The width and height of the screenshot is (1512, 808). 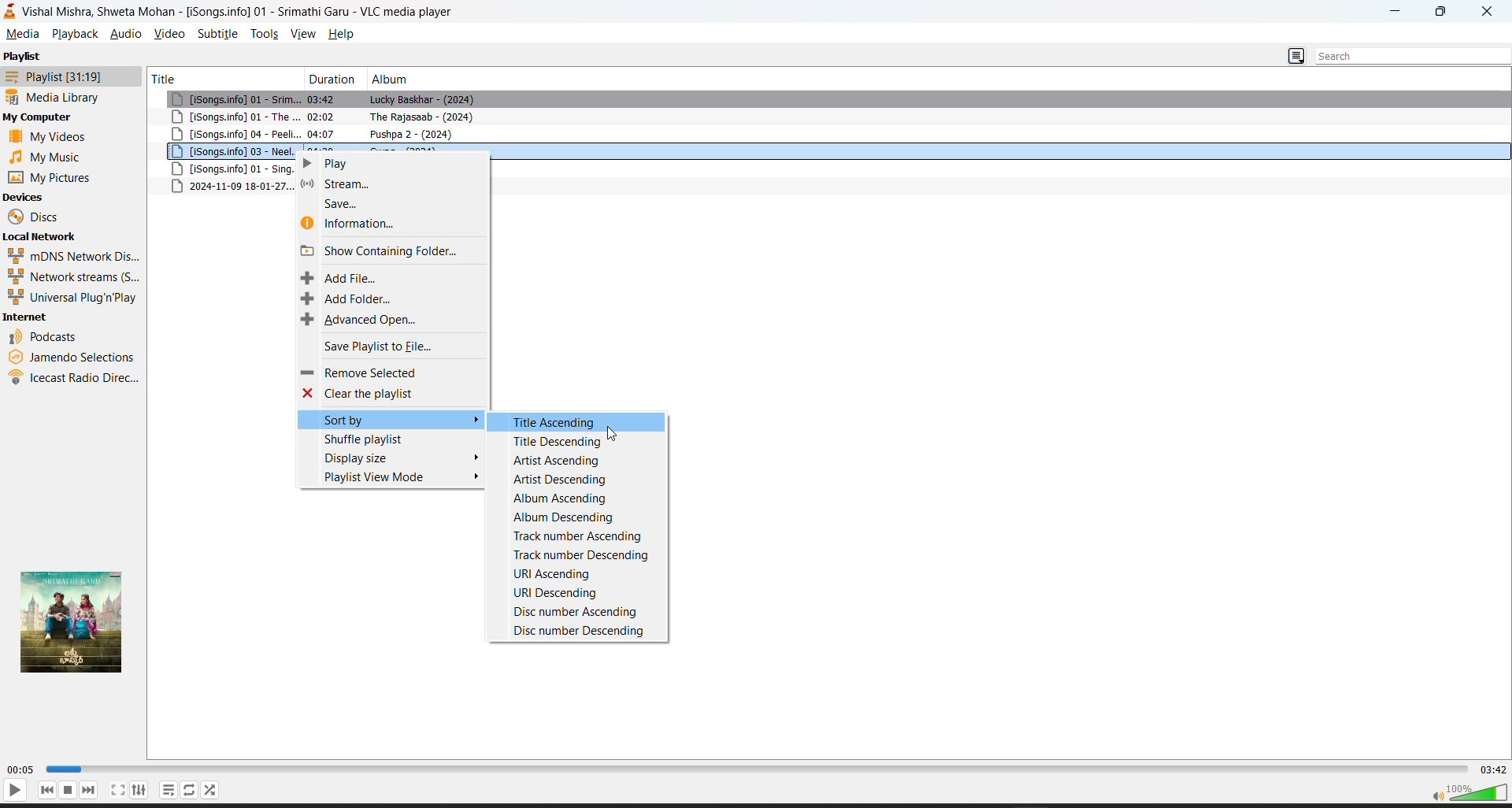 I want to click on show containing folder, so click(x=392, y=250).